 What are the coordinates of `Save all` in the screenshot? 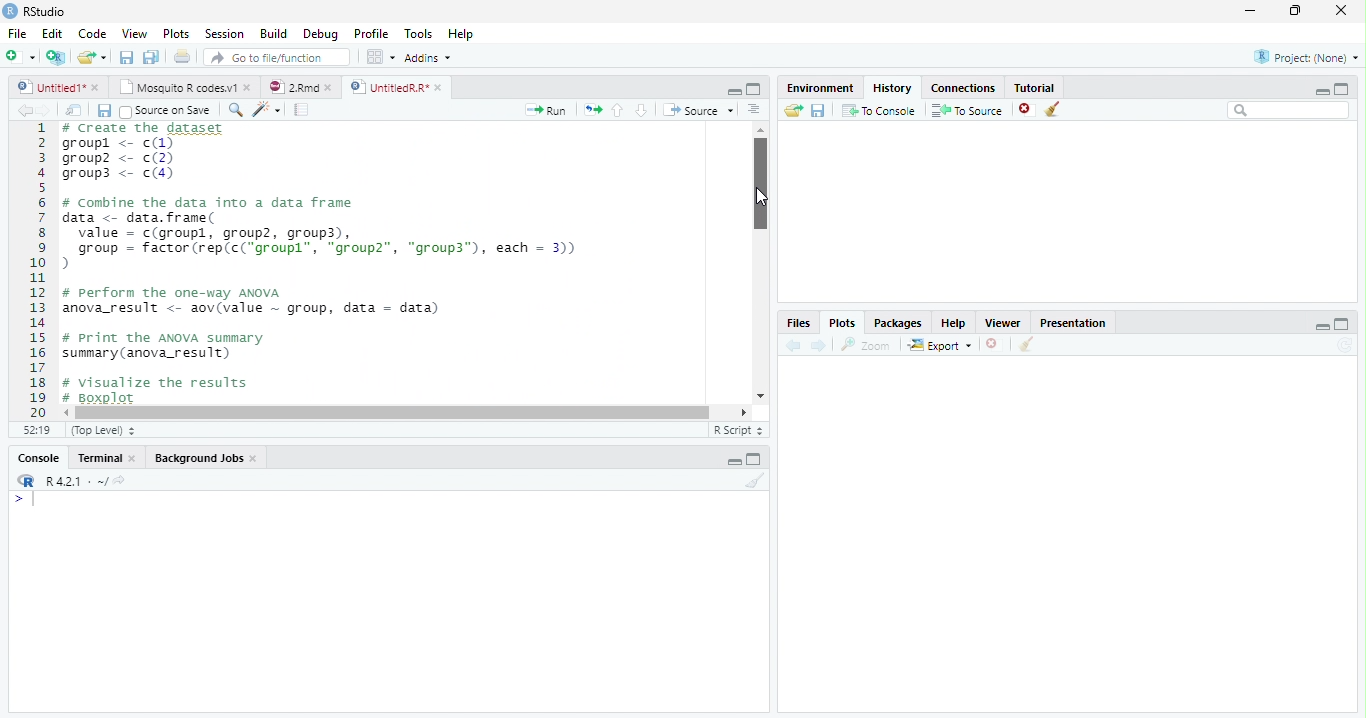 It's located at (108, 112).